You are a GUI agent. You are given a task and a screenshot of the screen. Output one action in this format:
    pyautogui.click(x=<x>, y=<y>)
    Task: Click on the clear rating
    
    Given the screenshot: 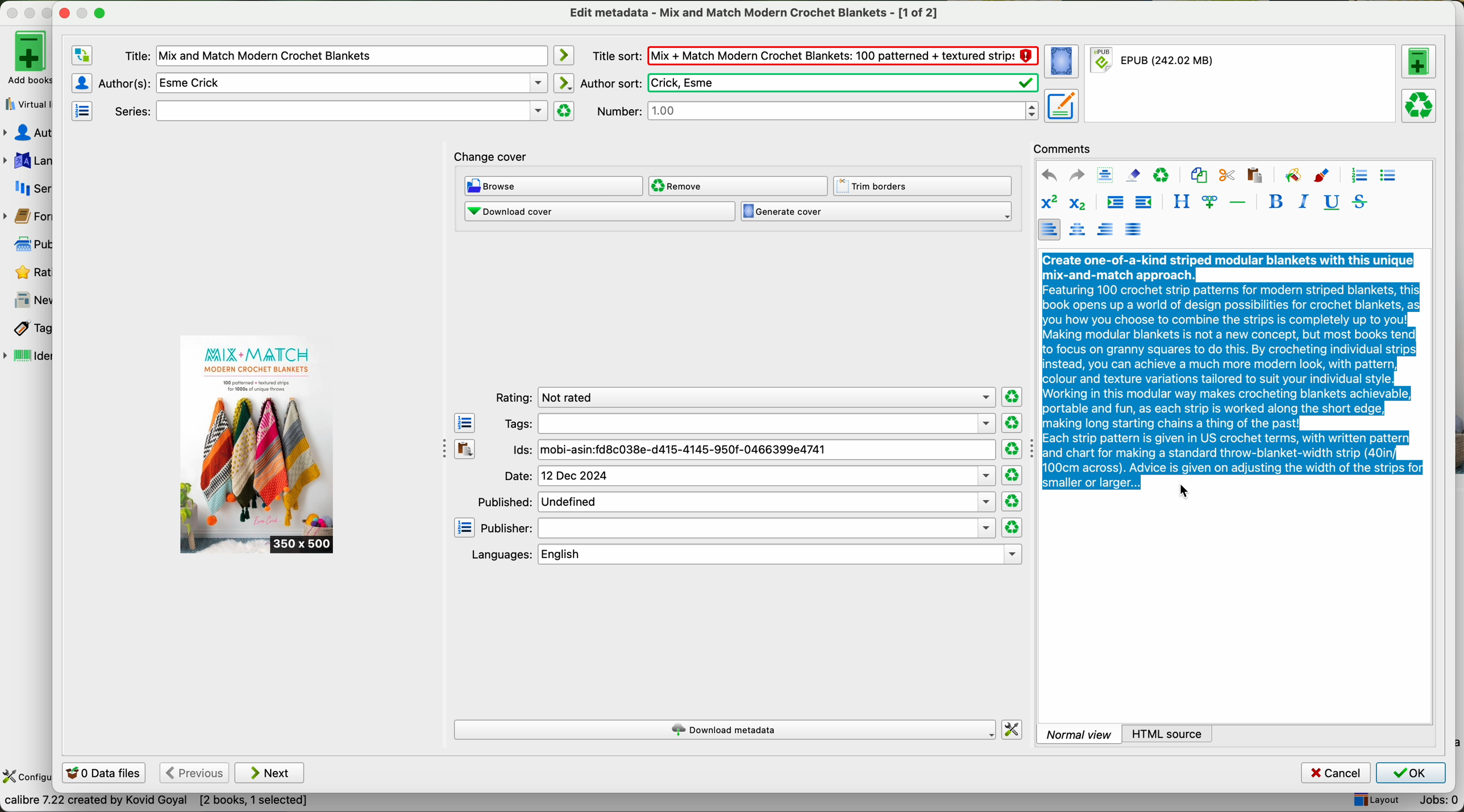 What is the action you would take?
    pyautogui.click(x=1011, y=423)
    